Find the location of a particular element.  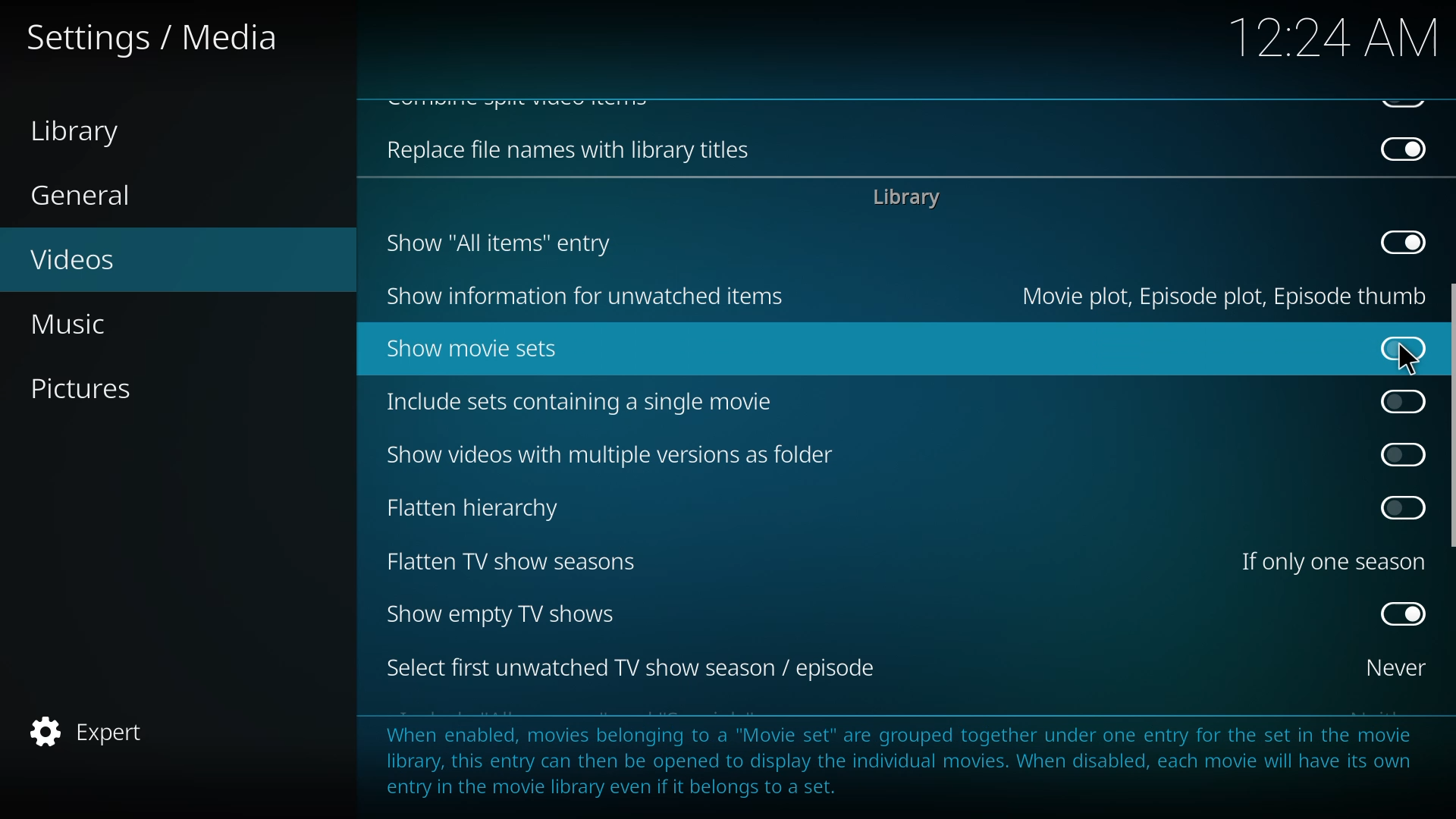

one season is located at coordinates (1332, 560).